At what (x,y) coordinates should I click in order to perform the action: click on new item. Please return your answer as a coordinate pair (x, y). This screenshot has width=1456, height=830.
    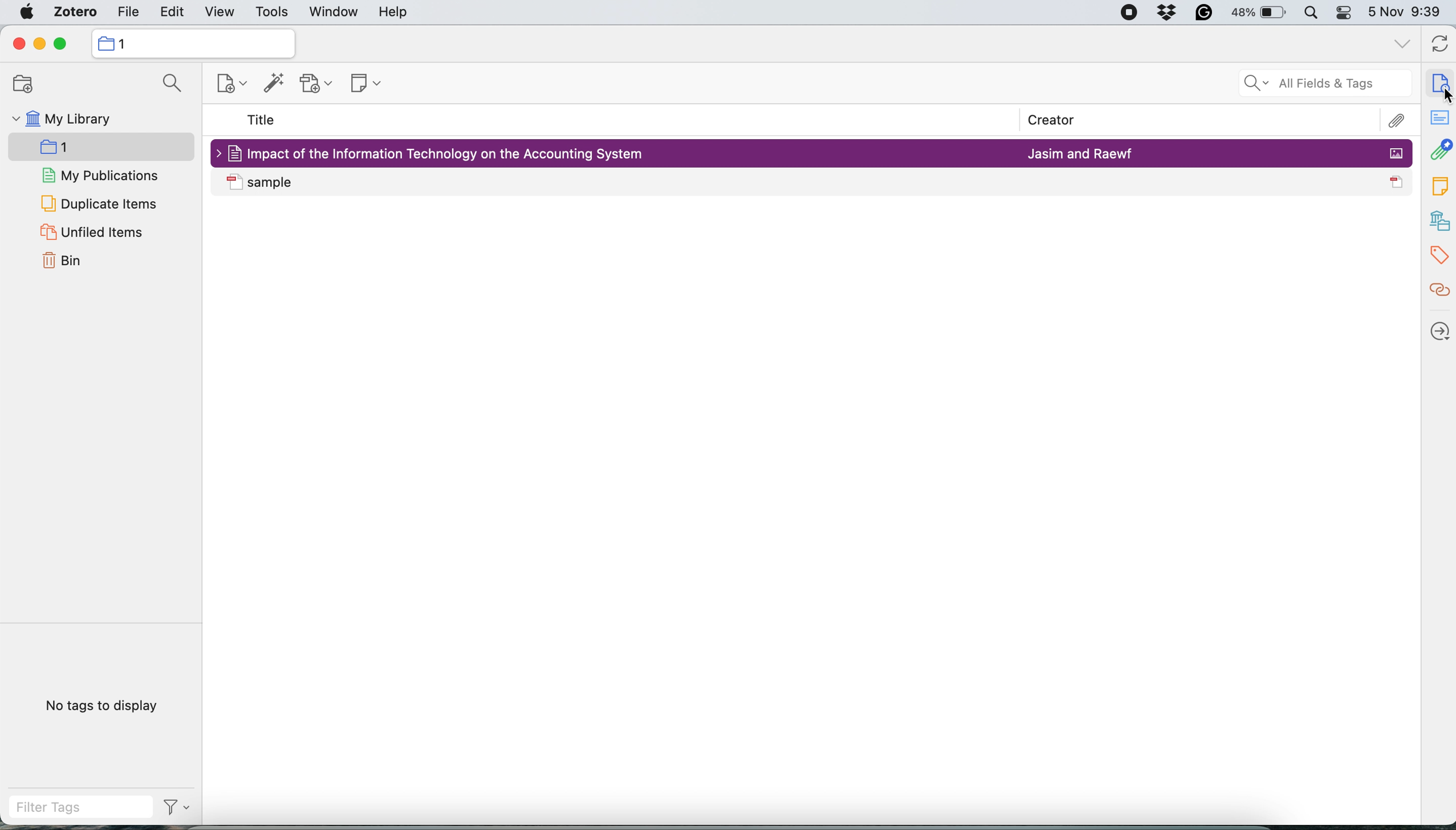
    Looking at the image, I should click on (230, 84).